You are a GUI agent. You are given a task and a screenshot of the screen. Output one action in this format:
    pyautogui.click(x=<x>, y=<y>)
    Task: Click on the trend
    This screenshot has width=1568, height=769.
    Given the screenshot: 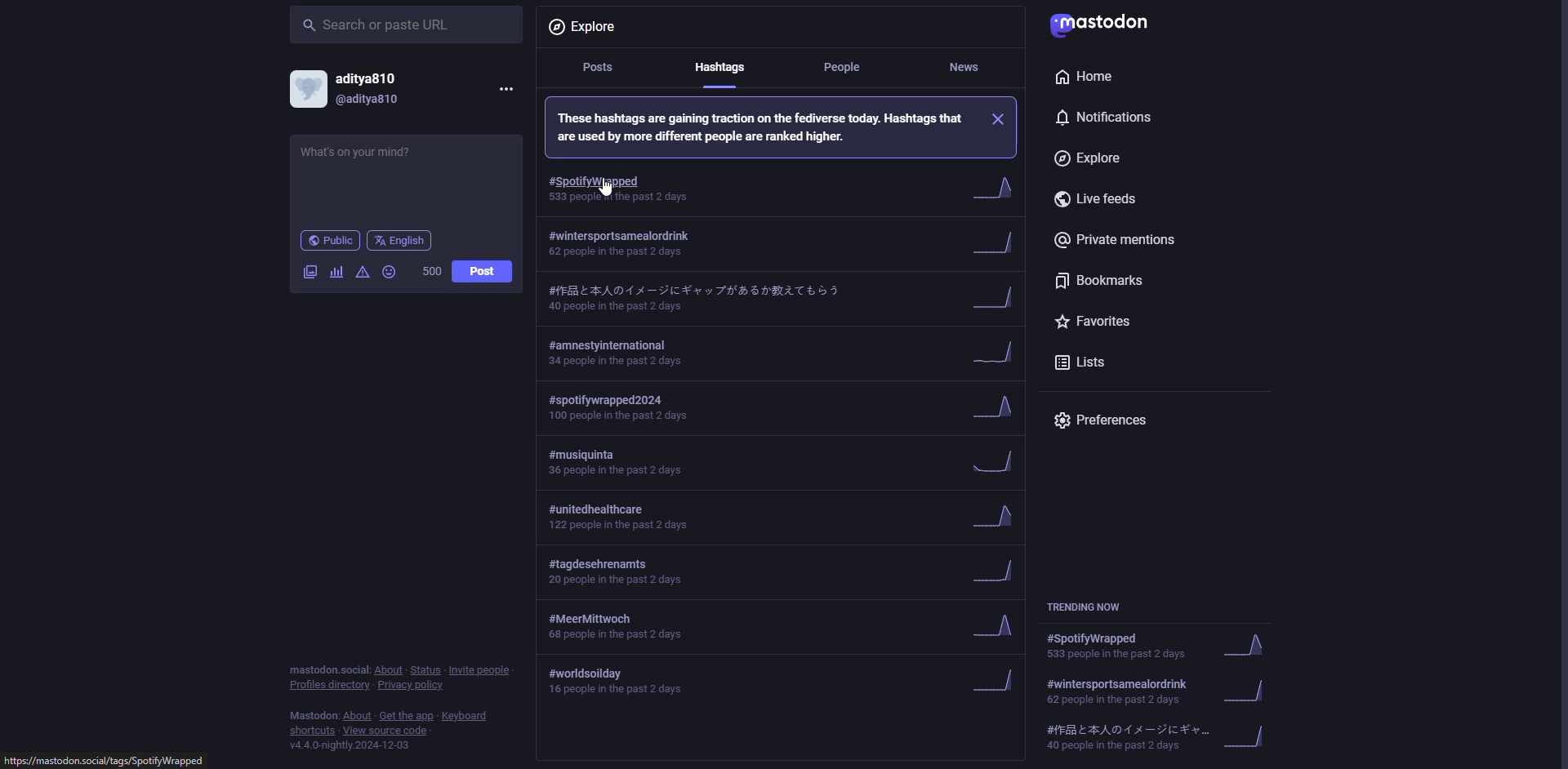 What is the action you would take?
    pyautogui.click(x=993, y=571)
    